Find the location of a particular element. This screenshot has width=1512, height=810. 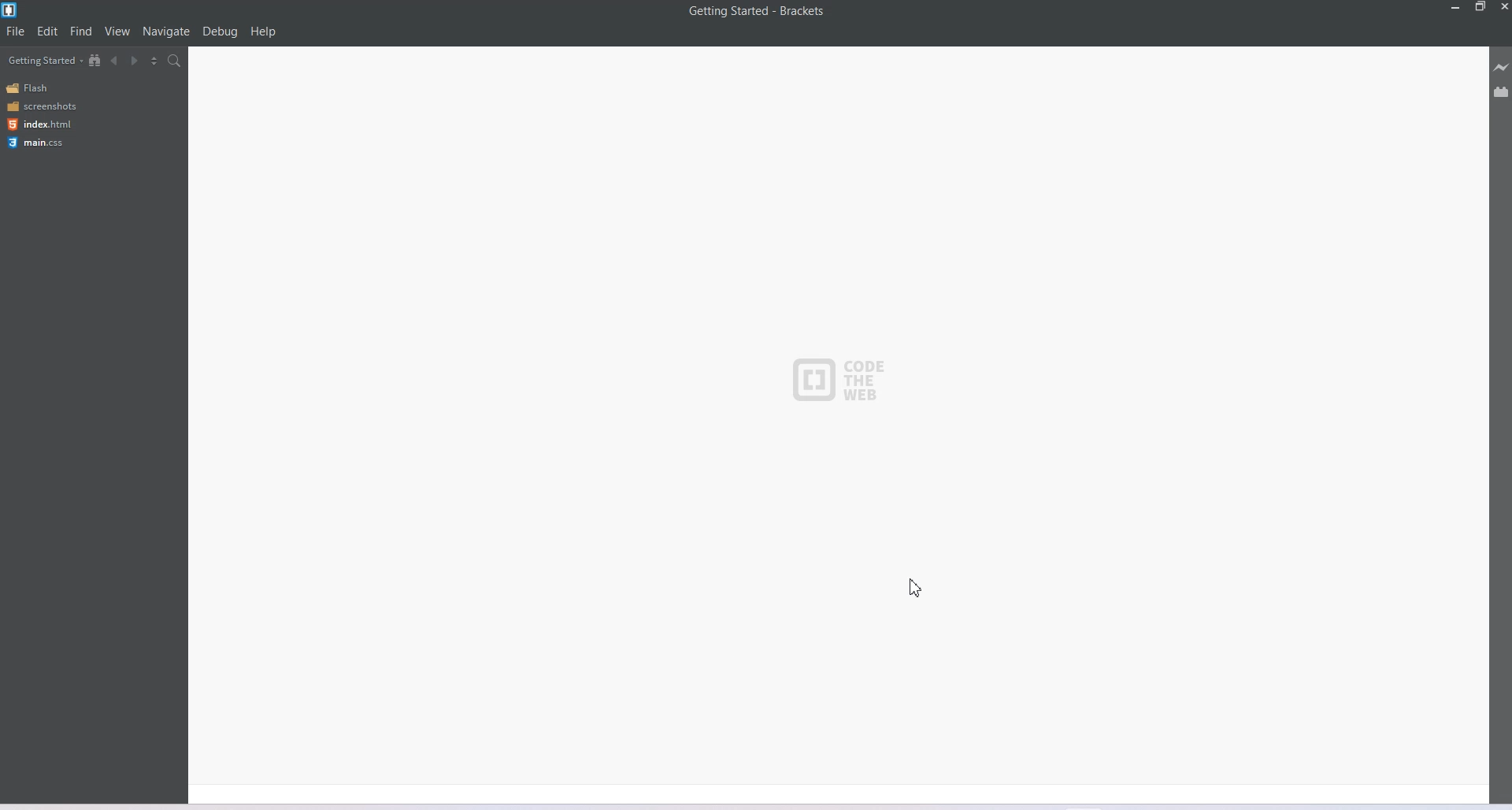

Close is located at coordinates (1503, 7).